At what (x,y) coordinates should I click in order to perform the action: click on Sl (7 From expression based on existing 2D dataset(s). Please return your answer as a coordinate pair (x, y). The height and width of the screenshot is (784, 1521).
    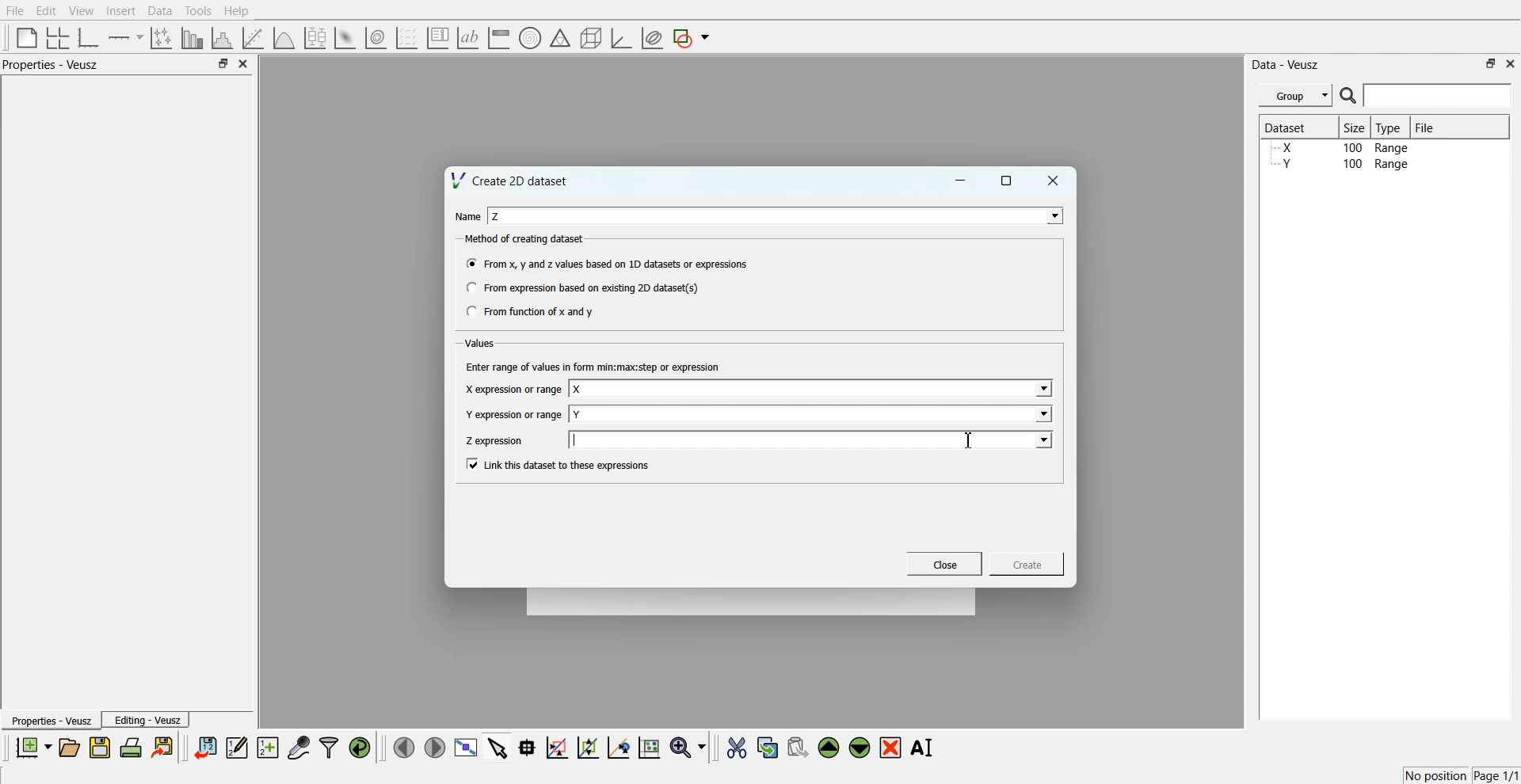
    Looking at the image, I should click on (581, 287).